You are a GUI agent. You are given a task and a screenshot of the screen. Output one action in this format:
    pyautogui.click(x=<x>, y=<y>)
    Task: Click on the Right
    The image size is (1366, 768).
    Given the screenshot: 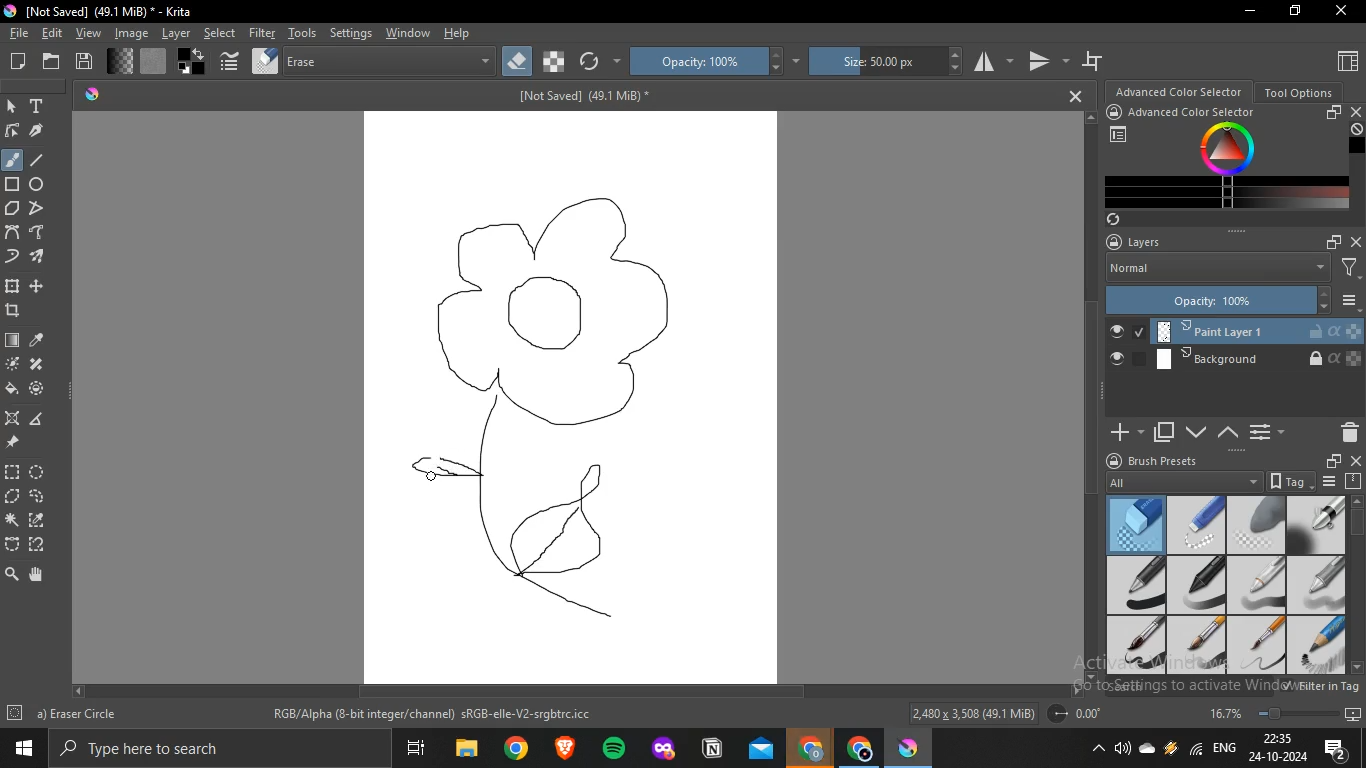 What is the action you would take?
    pyautogui.click(x=1075, y=690)
    